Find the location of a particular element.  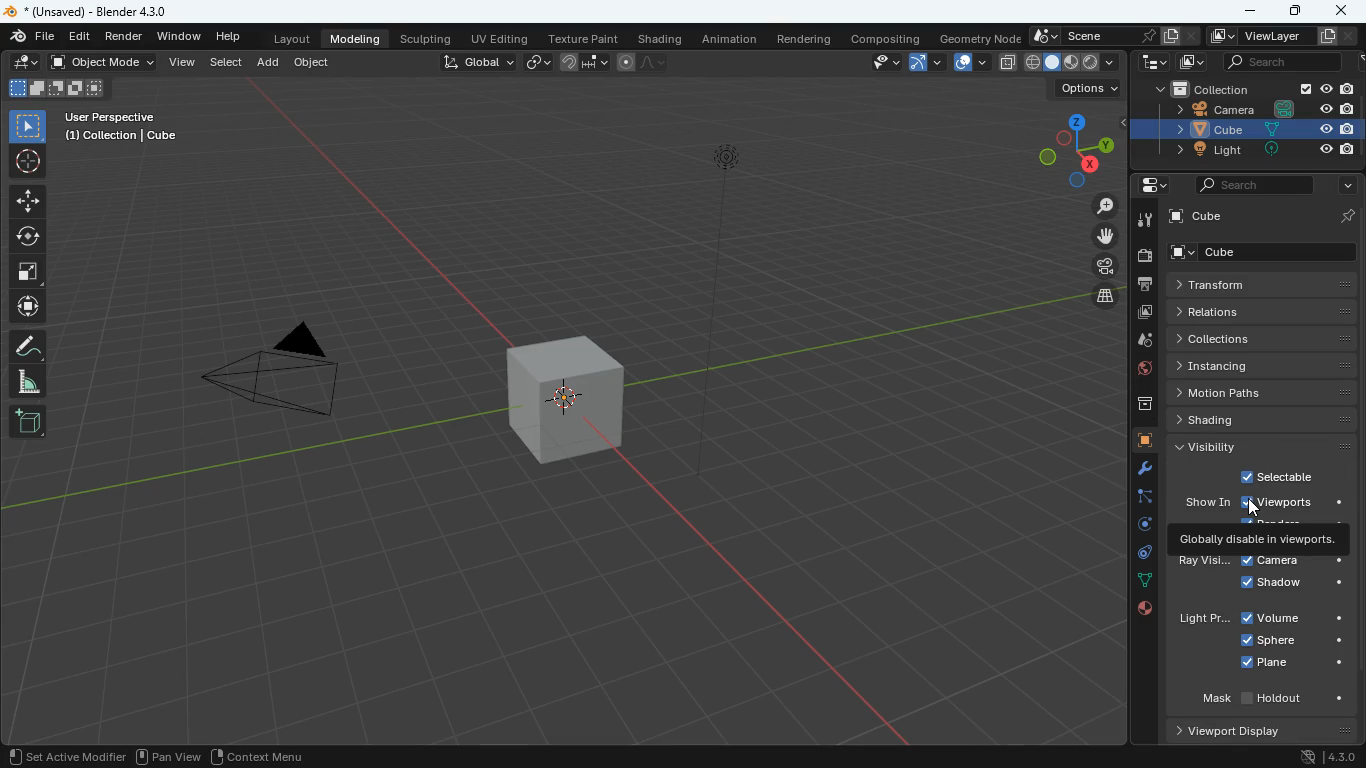

show in is located at coordinates (1208, 503).